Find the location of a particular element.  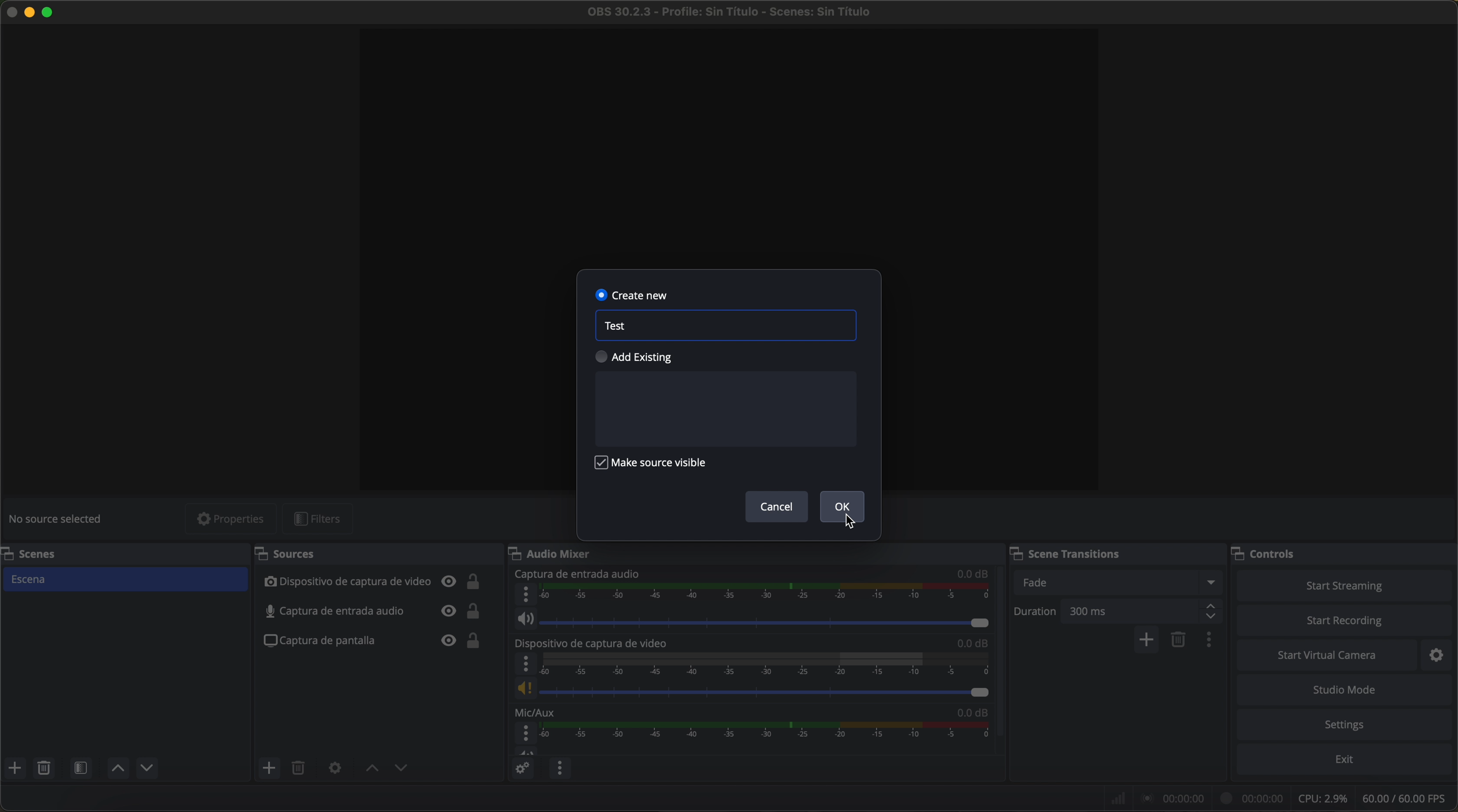

mouse is located at coordinates (852, 523).